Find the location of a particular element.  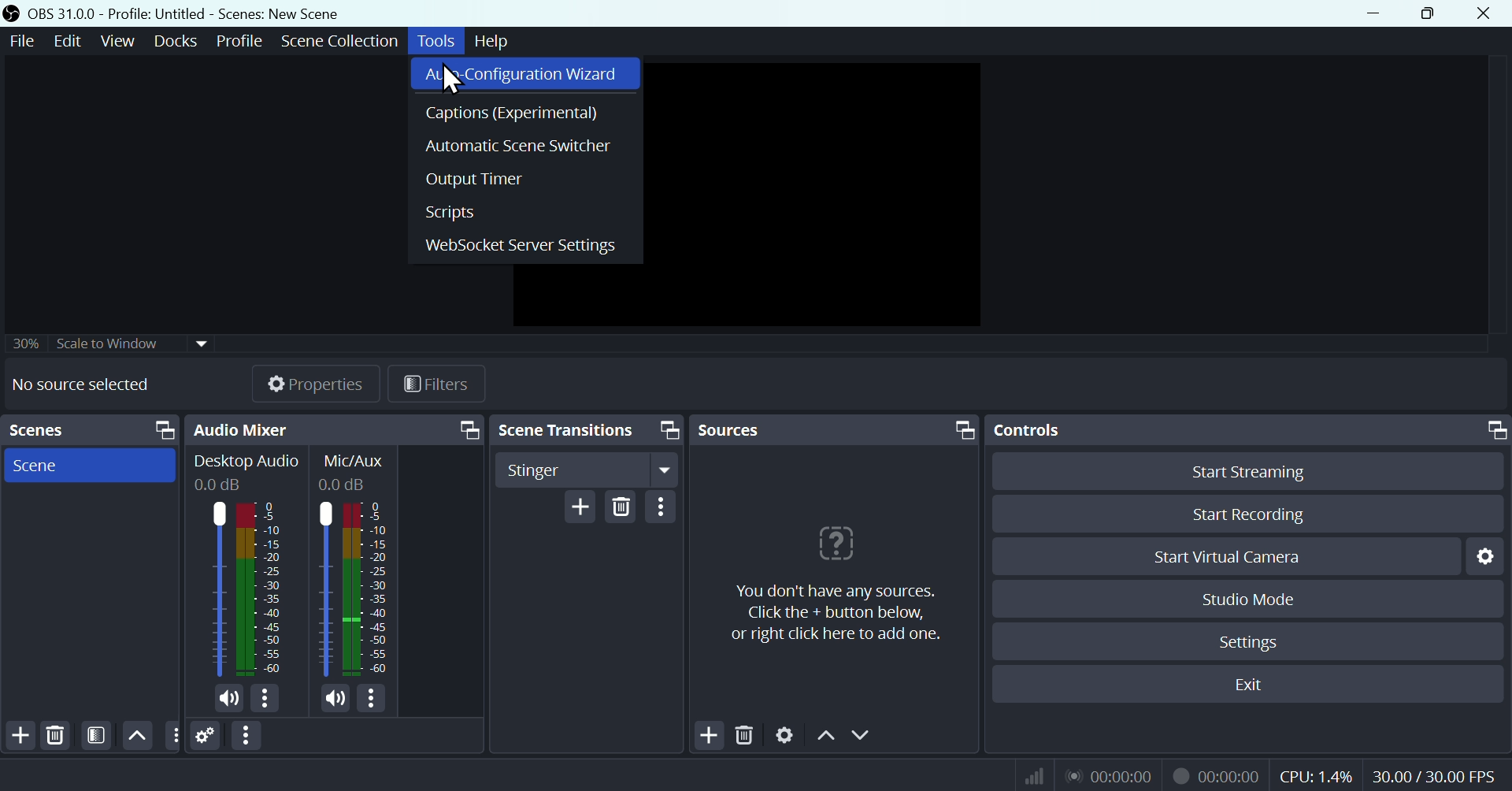

Option is located at coordinates (248, 736).